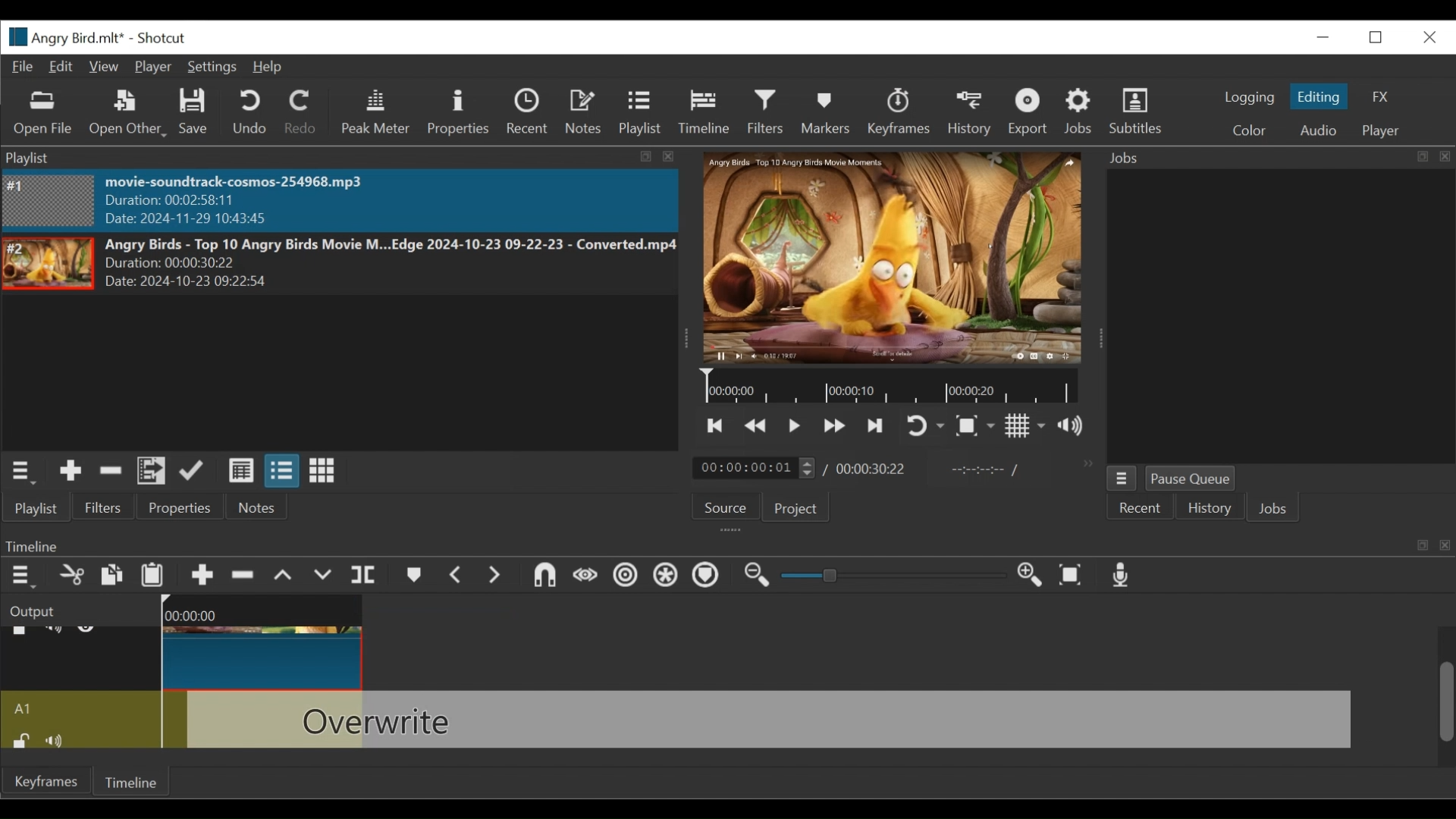 The width and height of the screenshot is (1456, 819). What do you see at coordinates (640, 114) in the screenshot?
I see `Playlist` at bounding box center [640, 114].